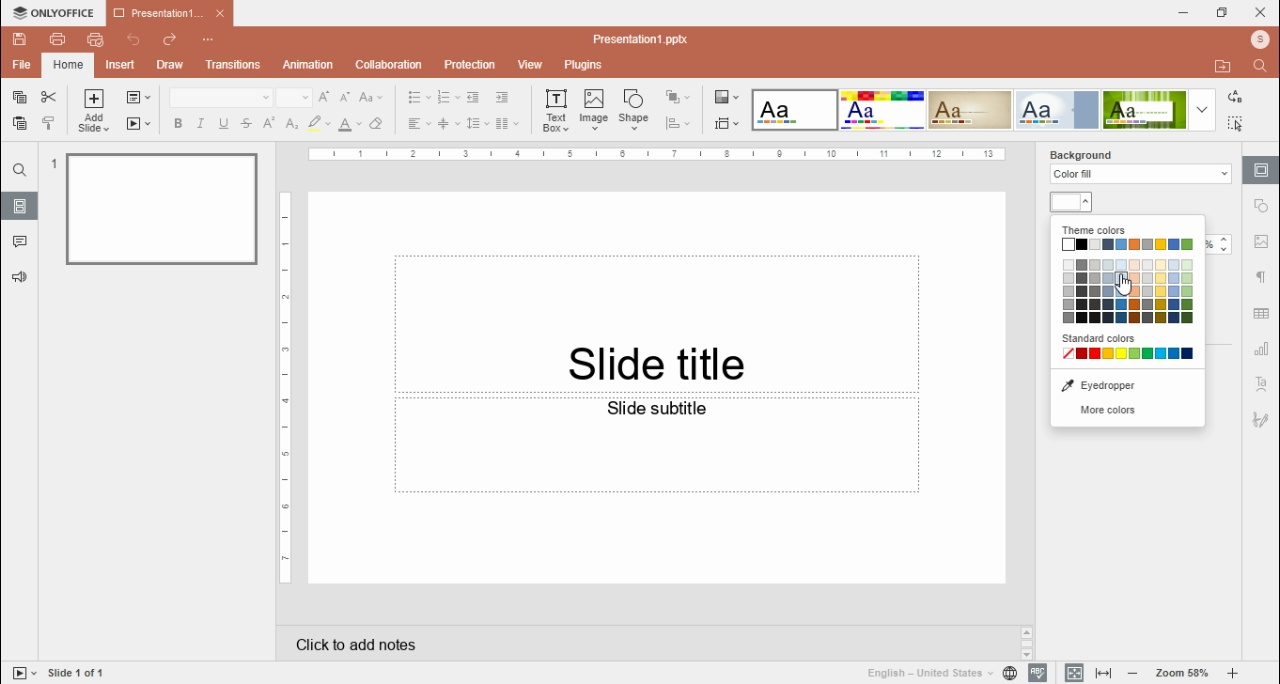  Describe the element at coordinates (1037, 673) in the screenshot. I see `spell check` at that location.